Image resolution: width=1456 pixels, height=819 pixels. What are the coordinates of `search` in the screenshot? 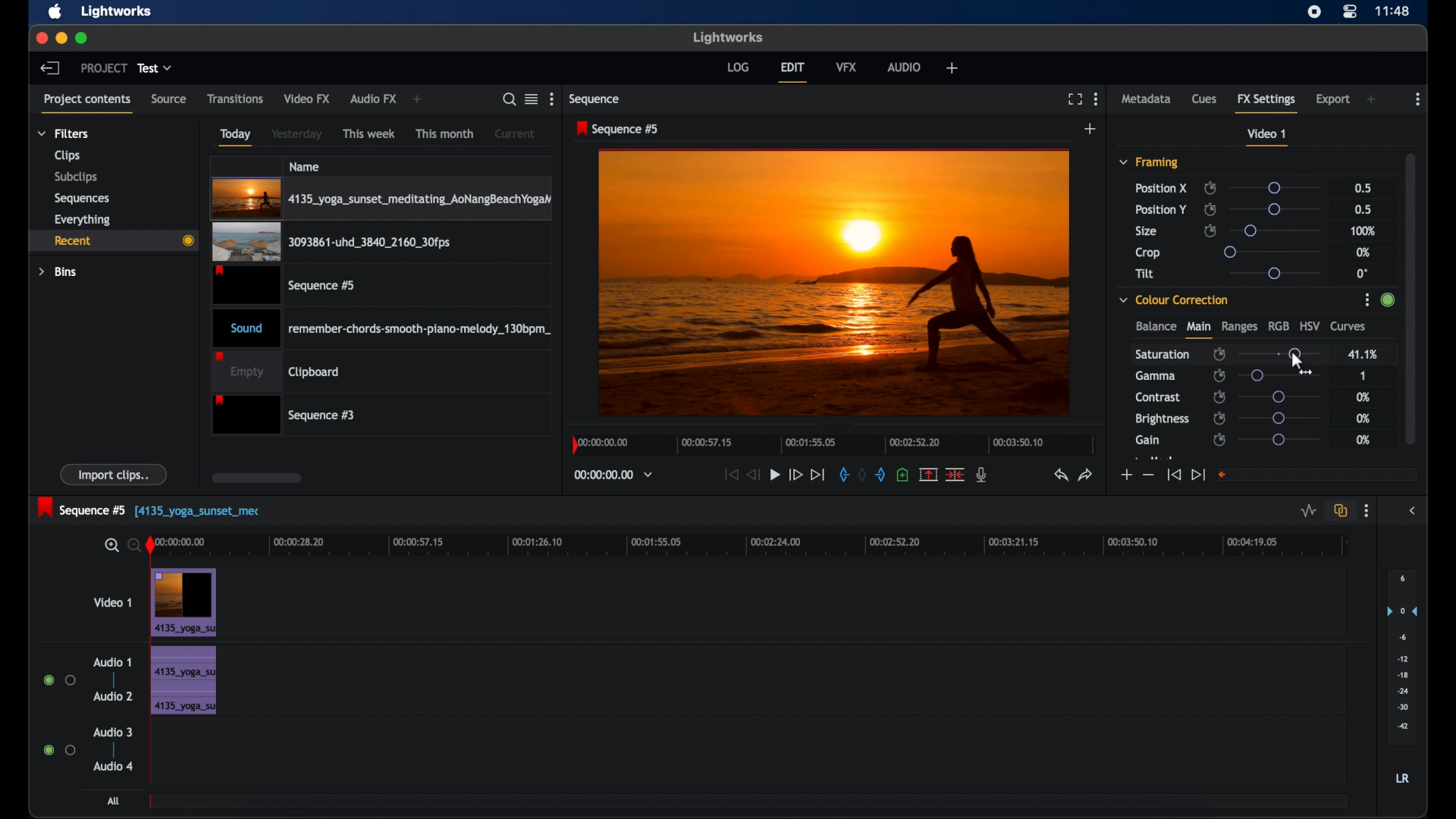 It's located at (510, 99).